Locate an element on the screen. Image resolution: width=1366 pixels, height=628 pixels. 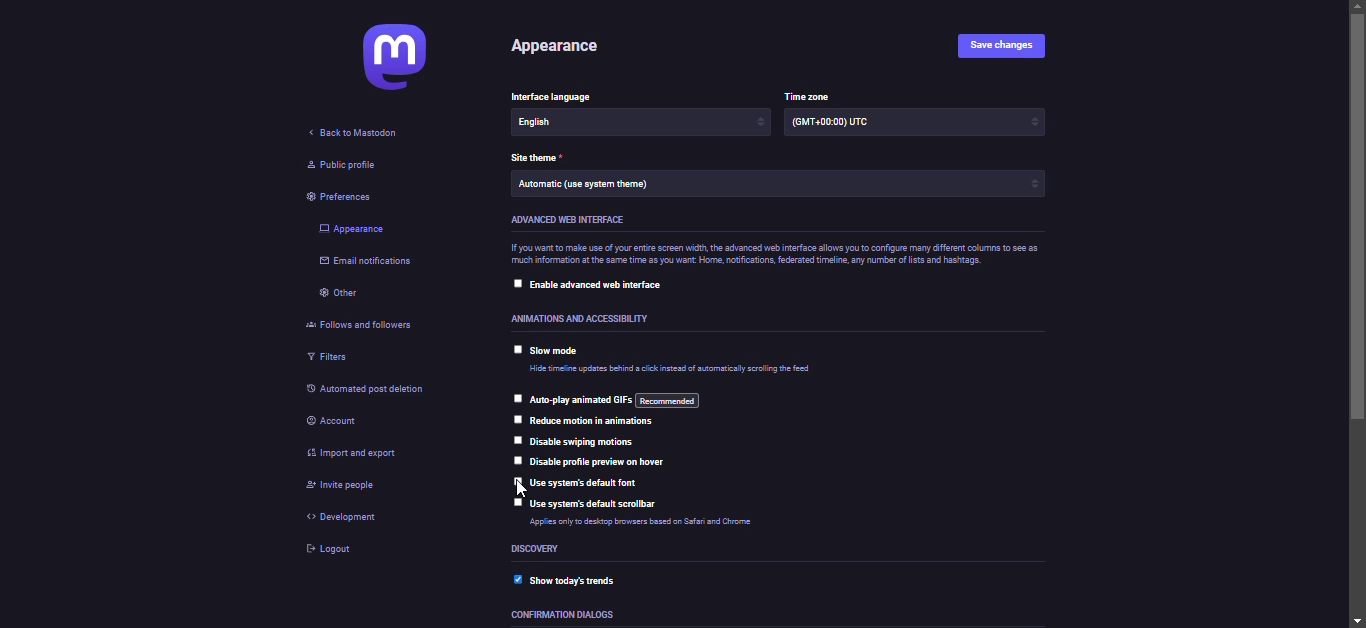
click to select is located at coordinates (516, 442).